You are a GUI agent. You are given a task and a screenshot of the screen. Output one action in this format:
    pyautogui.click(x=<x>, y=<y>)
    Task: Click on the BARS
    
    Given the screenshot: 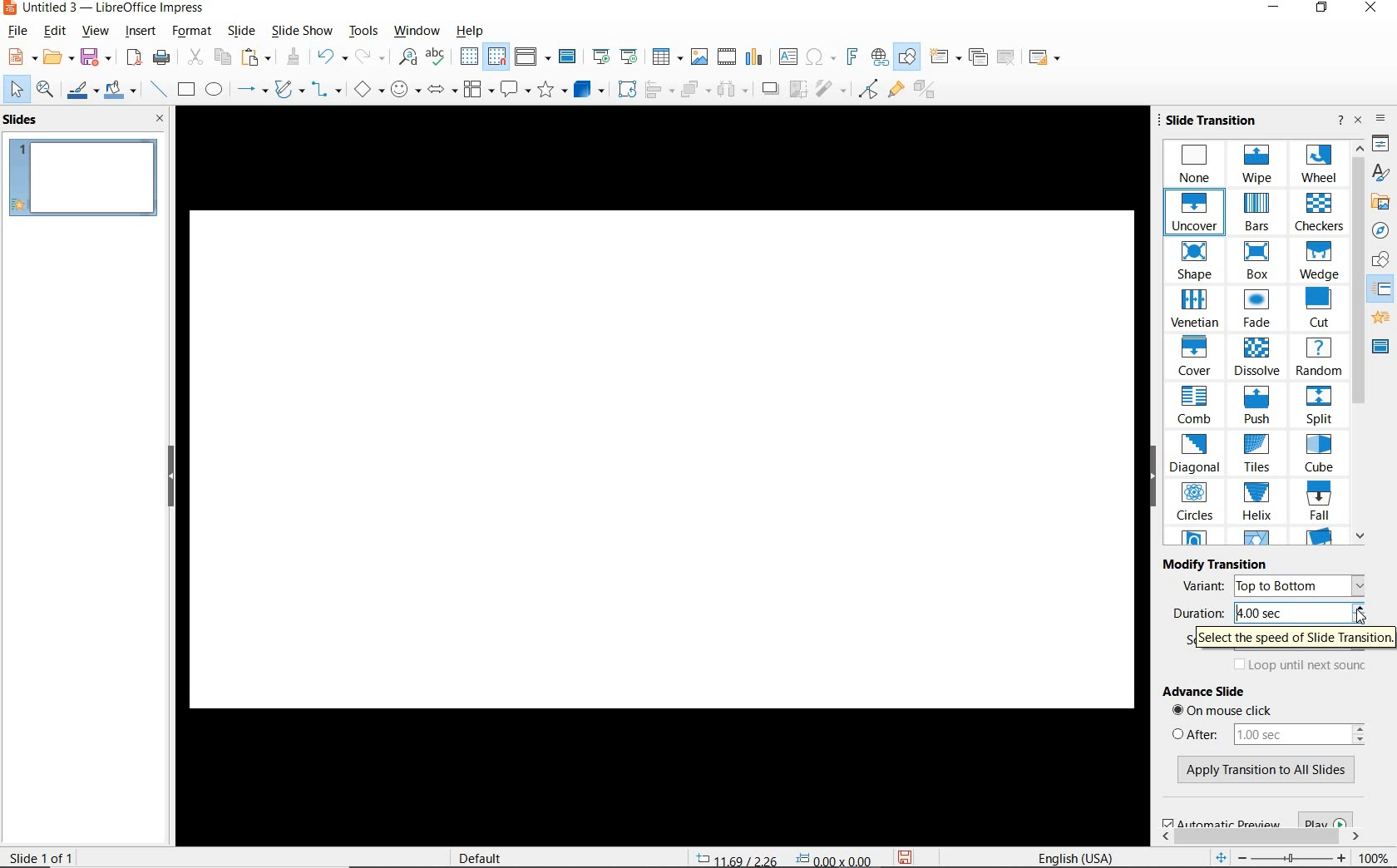 What is the action you would take?
    pyautogui.click(x=1259, y=214)
    